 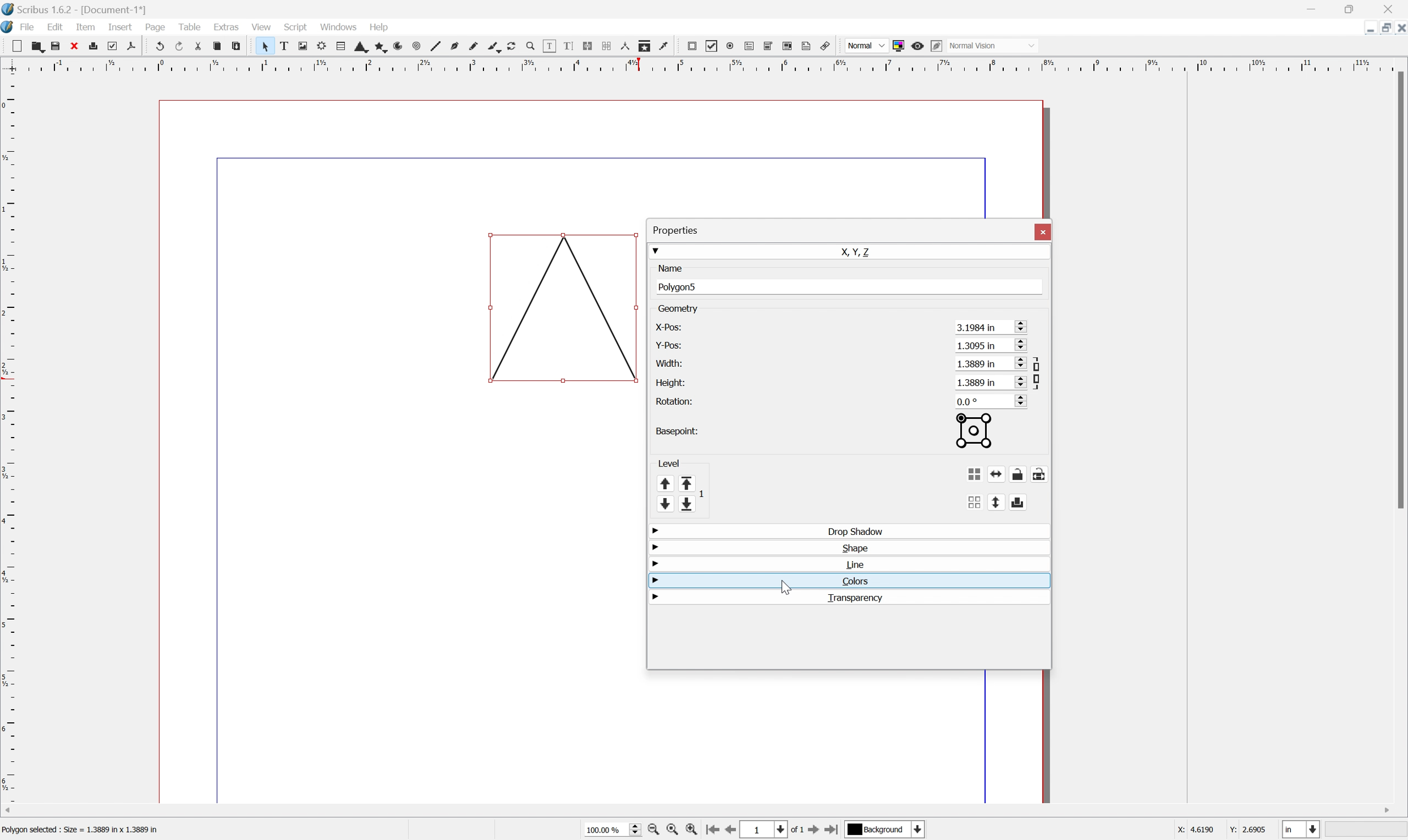 I want to click on Rotate item, so click(x=515, y=46).